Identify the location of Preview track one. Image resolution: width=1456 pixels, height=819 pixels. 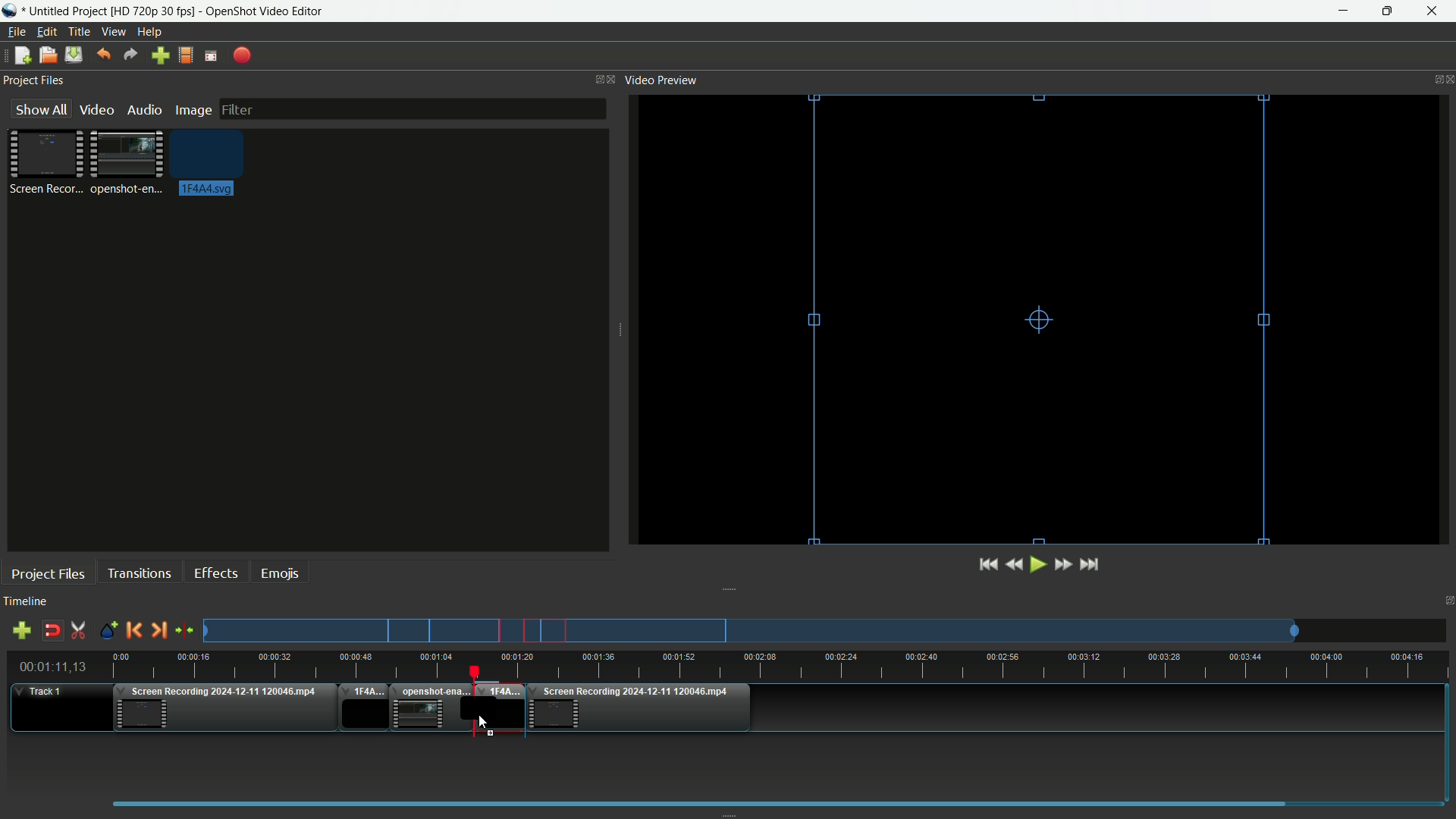
(830, 631).